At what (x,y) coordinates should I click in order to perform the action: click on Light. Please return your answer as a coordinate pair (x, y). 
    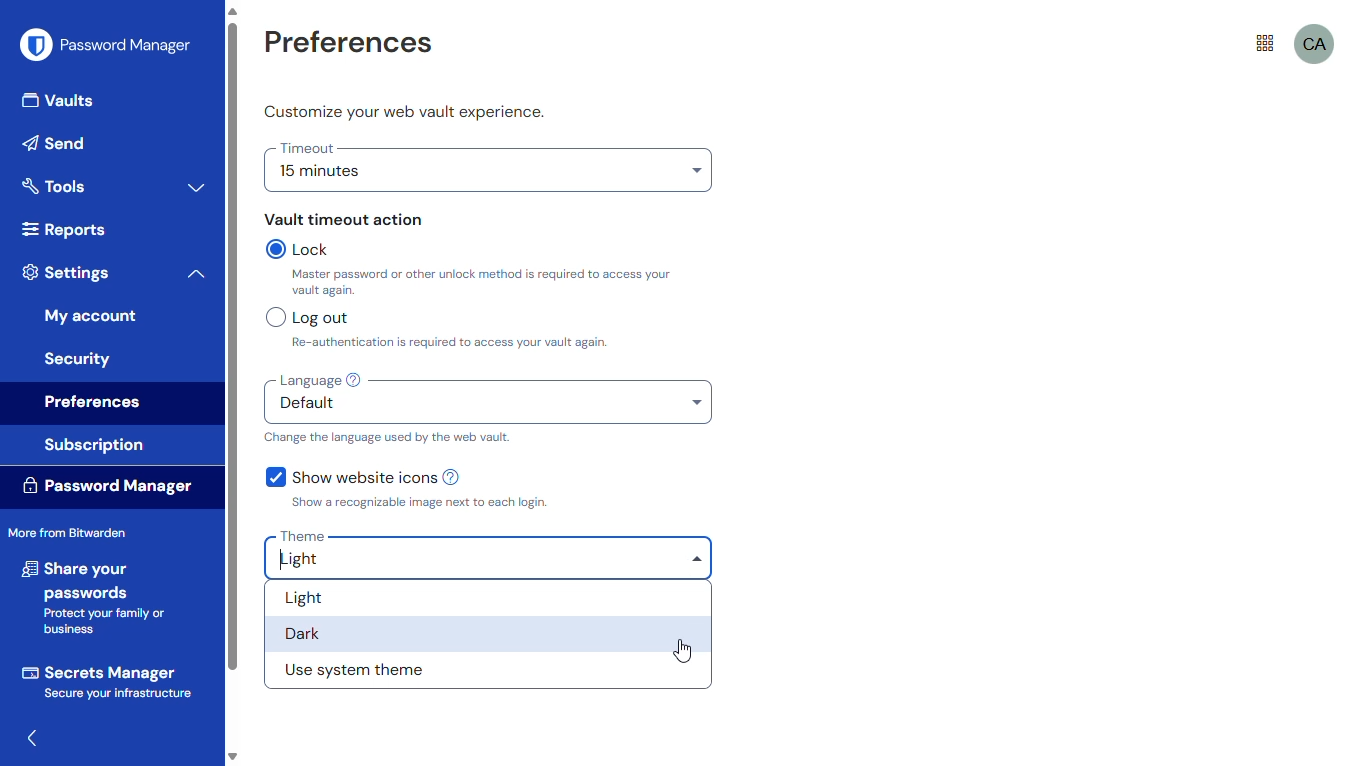
    Looking at the image, I should click on (378, 597).